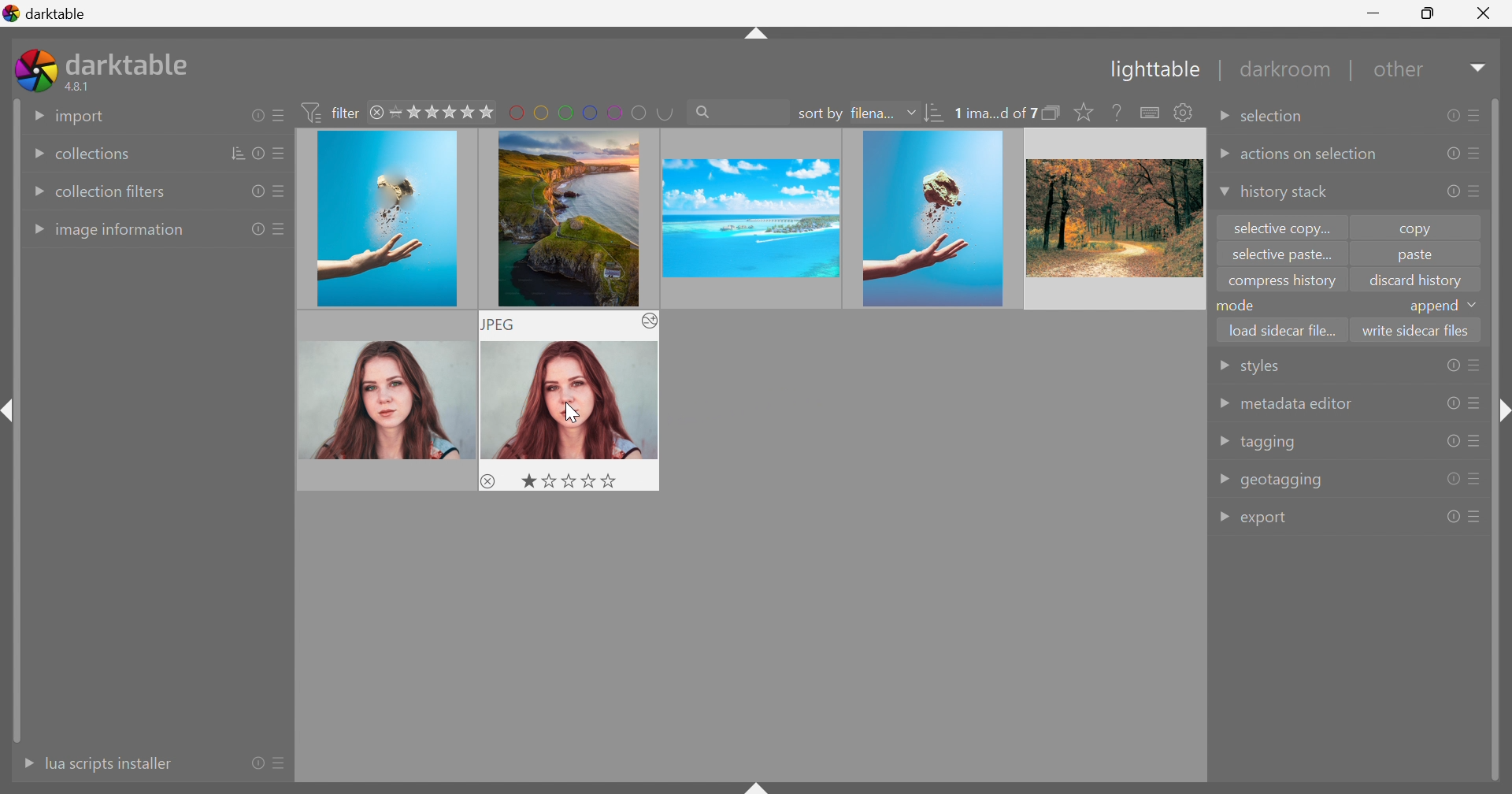  What do you see at coordinates (1182, 112) in the screenshot?
I see `show global preference` at bounding box center [1182, 112].